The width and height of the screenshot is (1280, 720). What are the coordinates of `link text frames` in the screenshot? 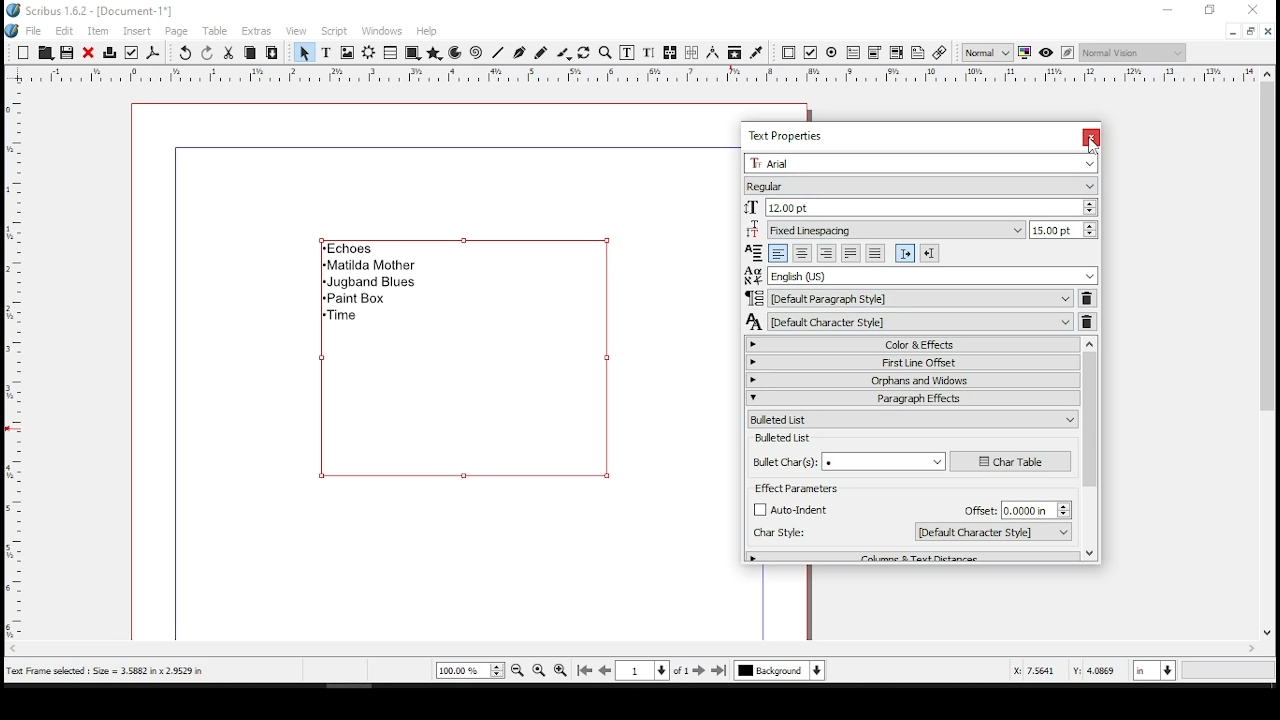 It's located at (670, 54).